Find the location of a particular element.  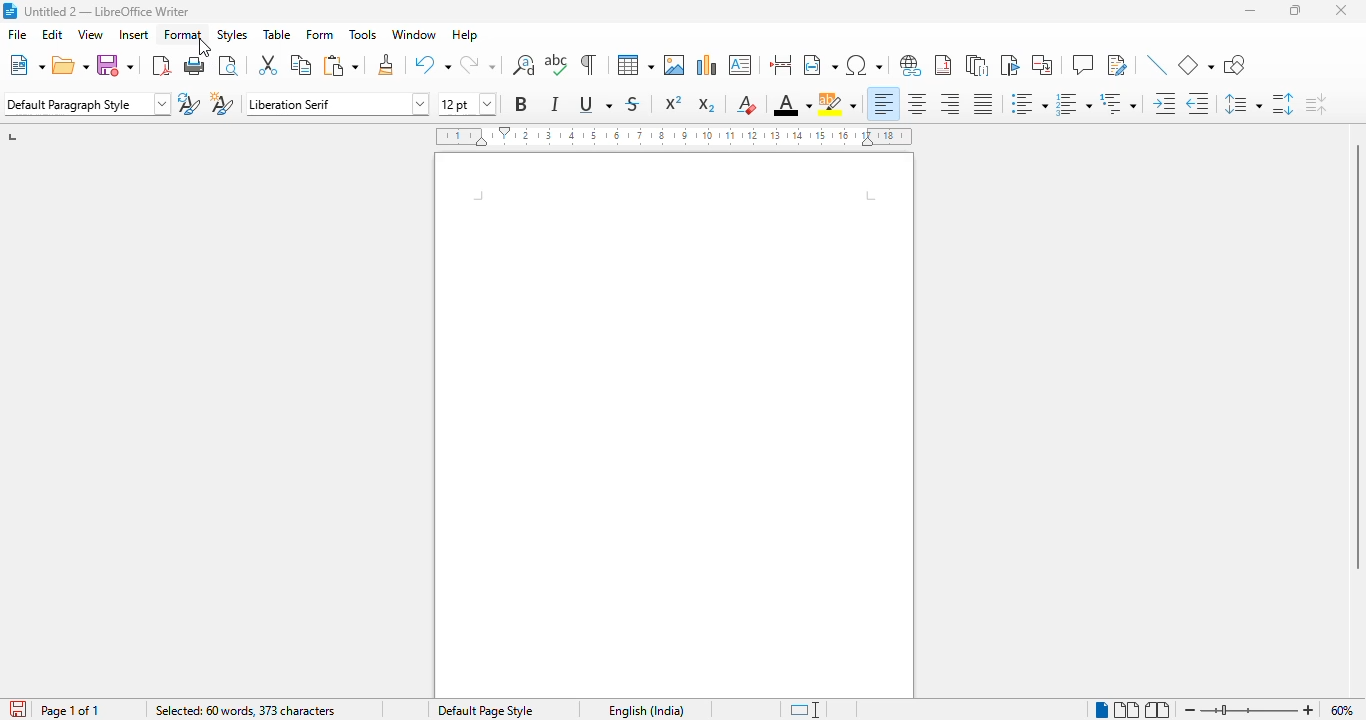

insert hyperlink is located at coordinates (911, 65).